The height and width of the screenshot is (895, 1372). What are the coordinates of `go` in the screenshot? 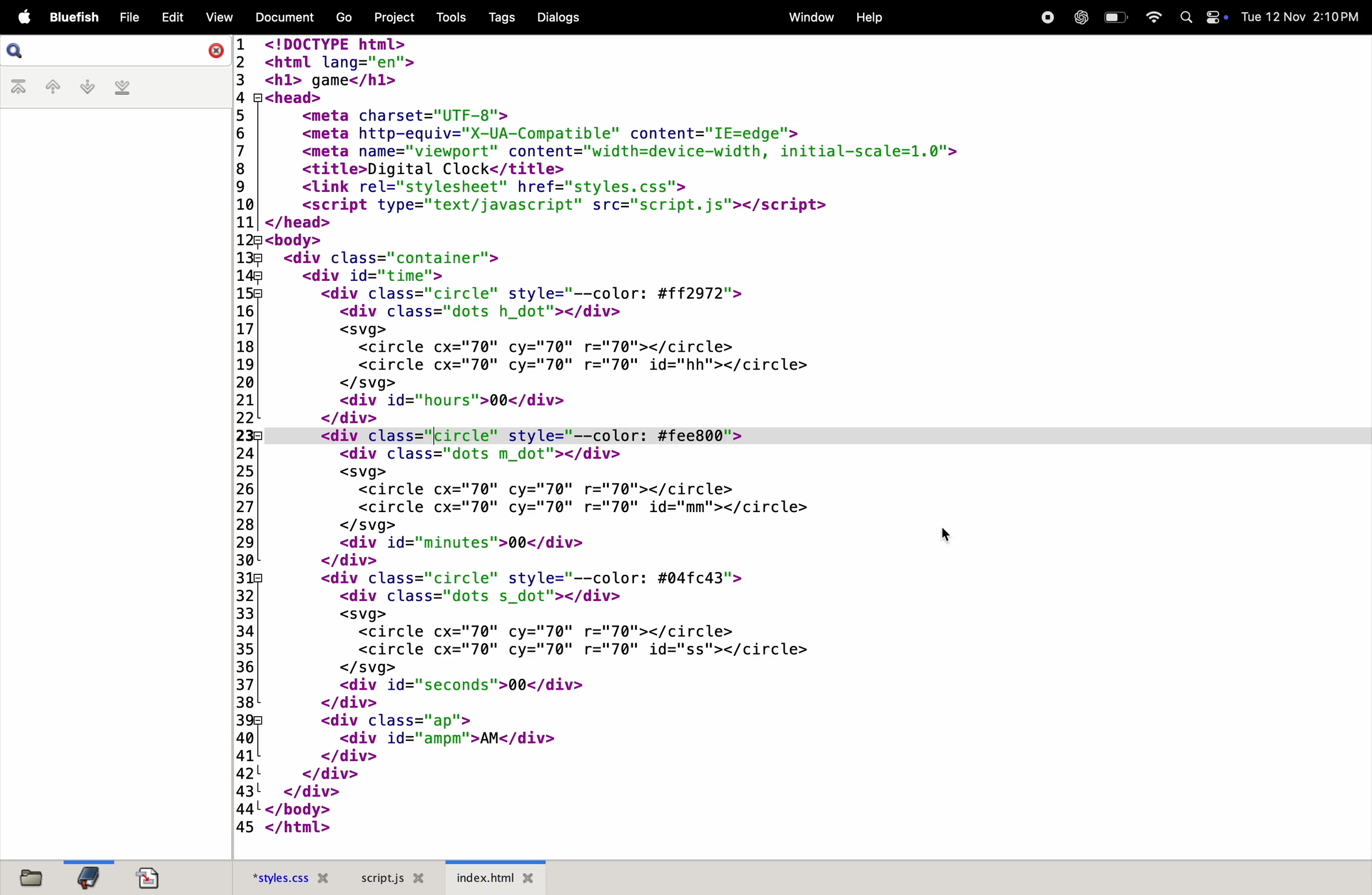 It's located at (342, 17).